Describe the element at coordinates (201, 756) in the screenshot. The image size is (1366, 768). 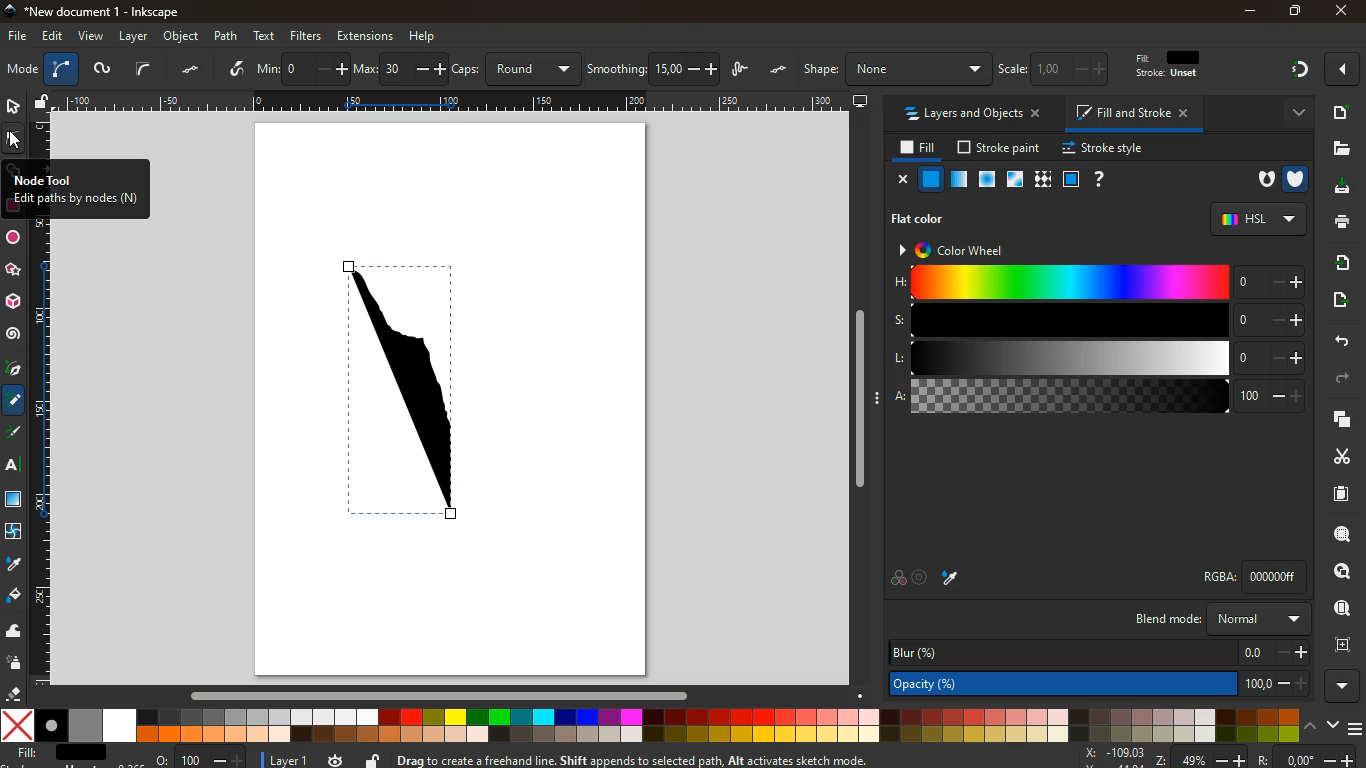
I see `zoom` at that location.